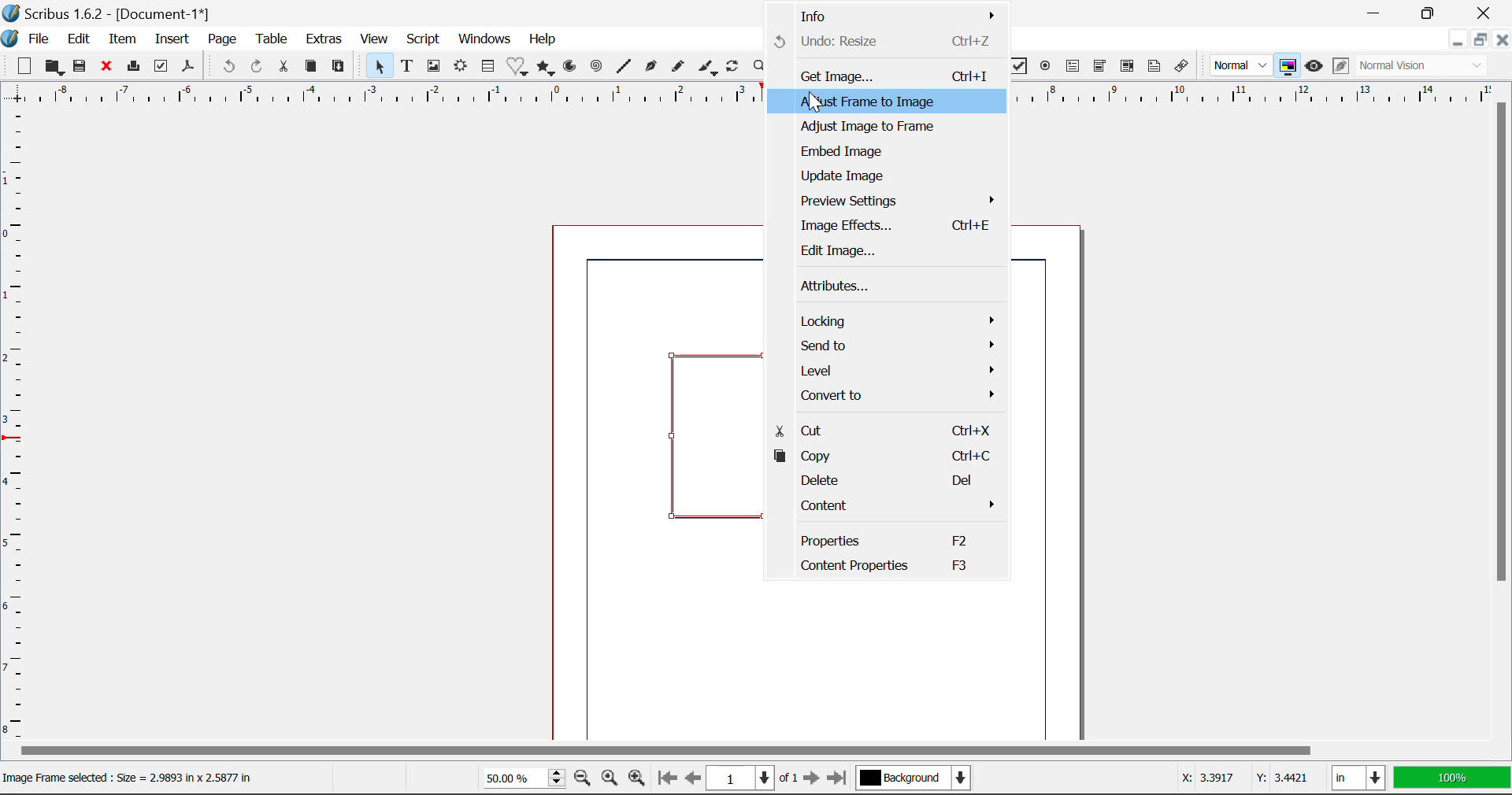 The width and height of the screenshot is (1512, 795). I want to click on Image Frame selected : Size = 2.9893 in x 2.5877 in, so click(143, 778).